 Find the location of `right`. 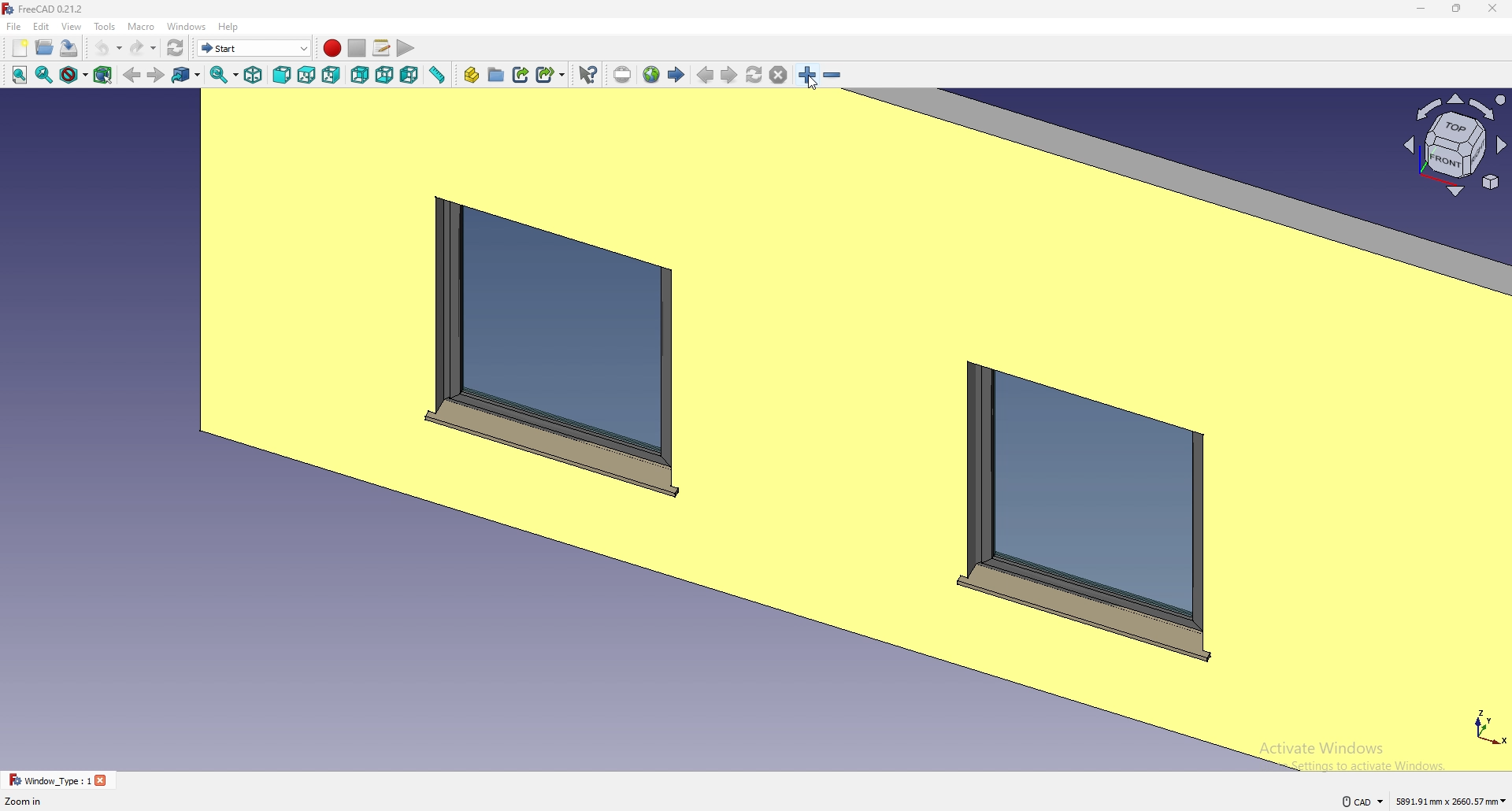

right is located at coordinates (333, 74).